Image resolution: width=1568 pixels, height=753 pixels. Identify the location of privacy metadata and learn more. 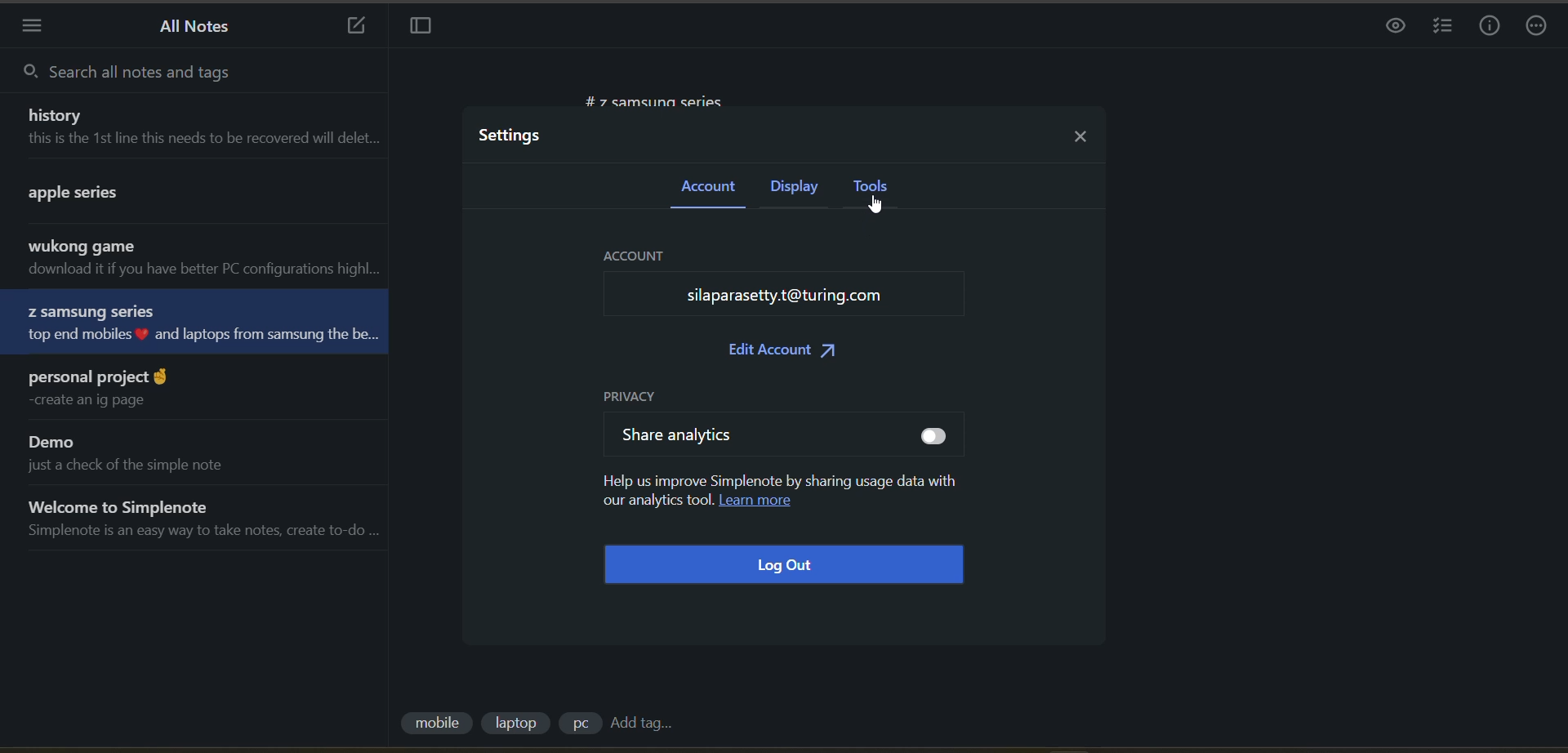
(779, 491).